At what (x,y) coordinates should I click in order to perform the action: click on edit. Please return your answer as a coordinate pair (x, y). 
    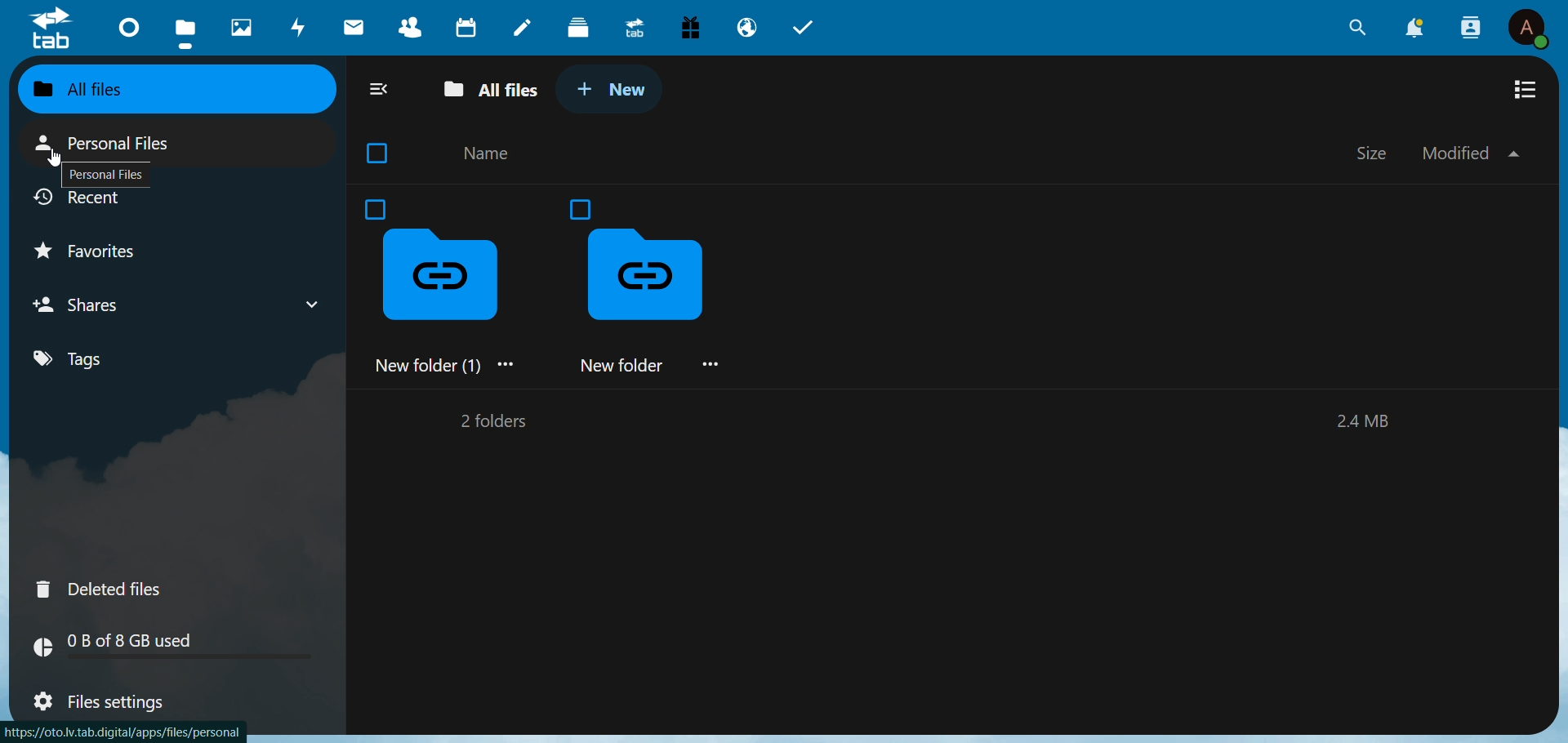
    Looking at the image, I should click on (525, 29).